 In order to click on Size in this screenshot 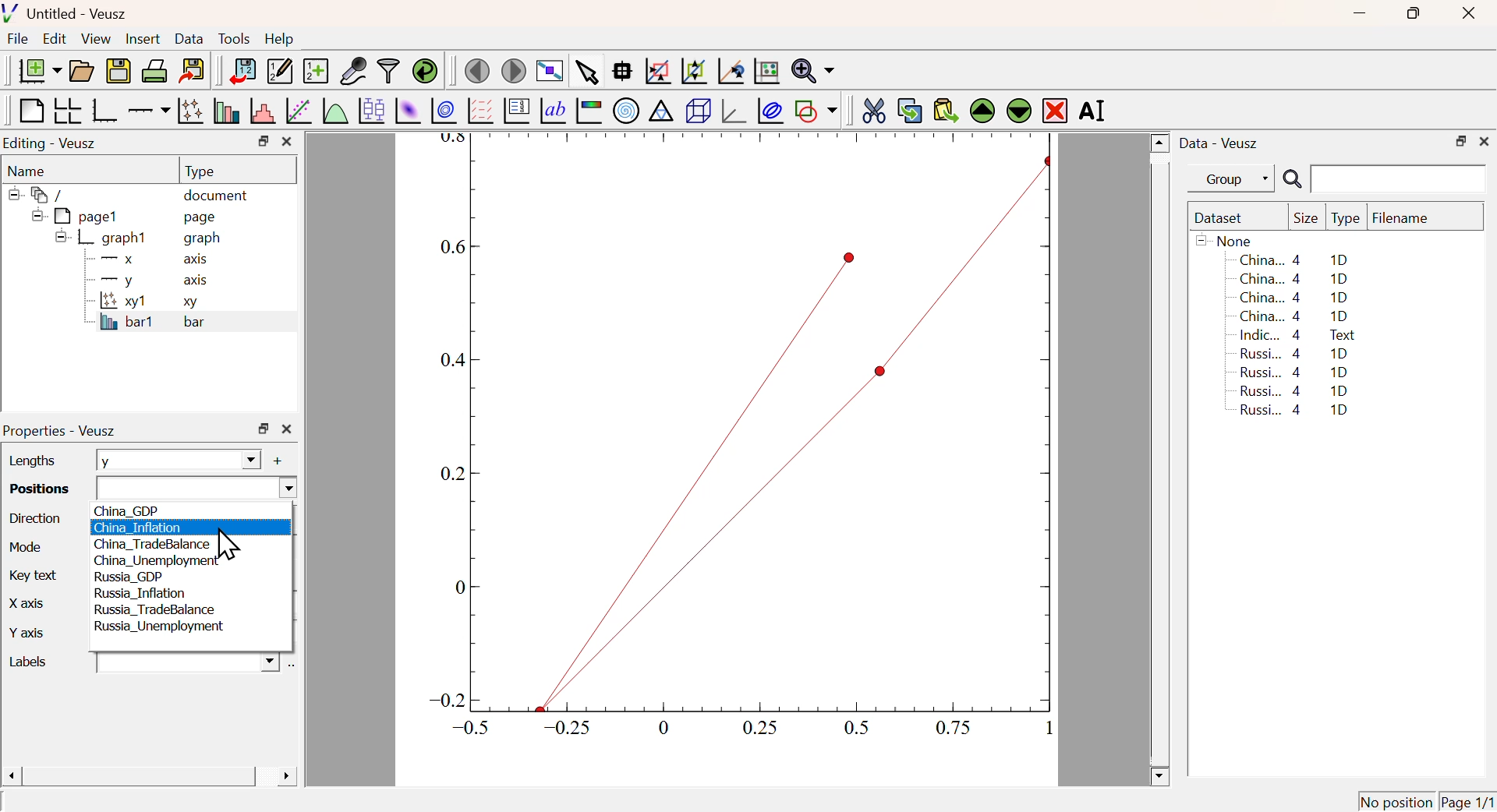, I will do `click(1306, 219)`.